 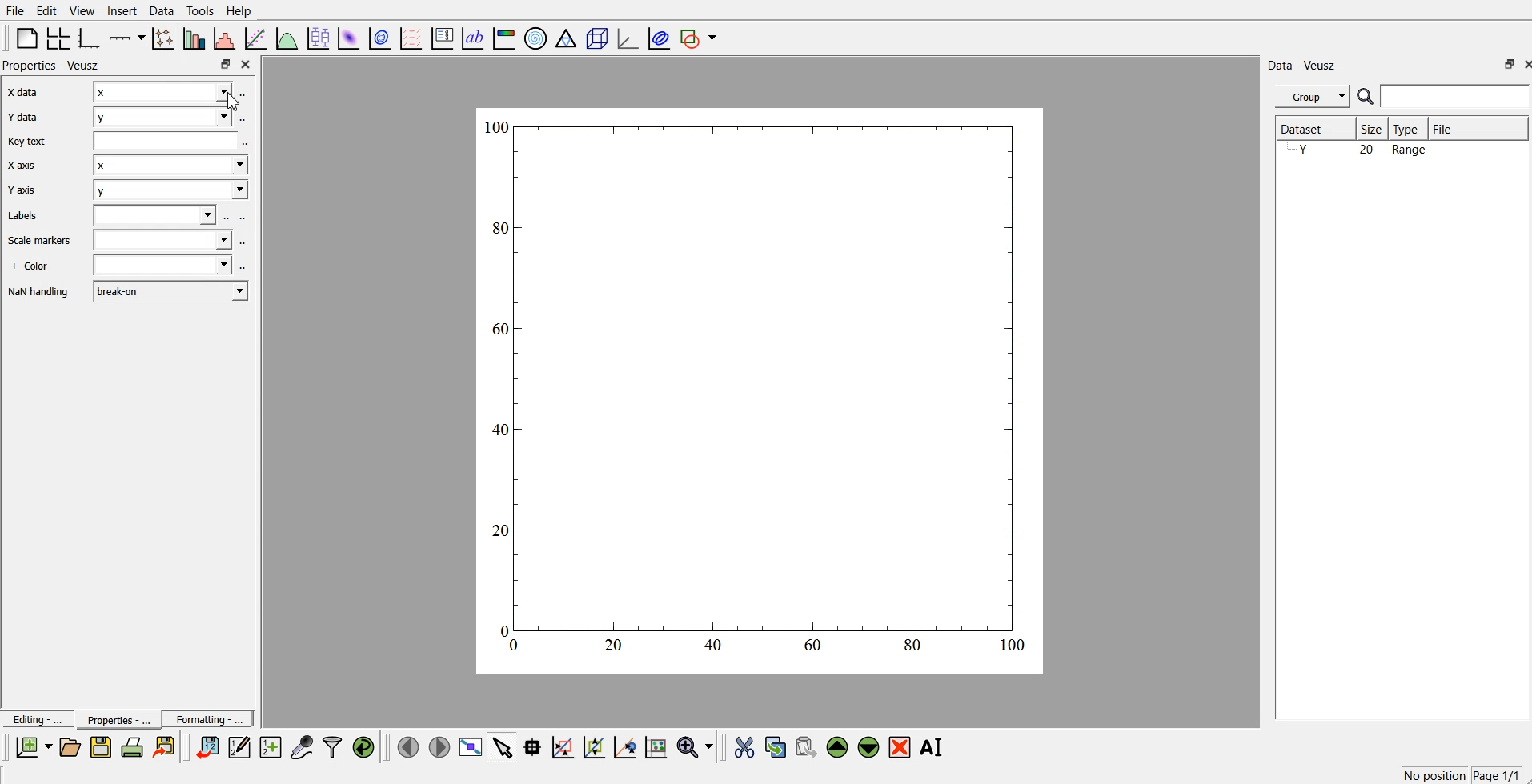 I want to click on move up, so click(x=839, y=746).